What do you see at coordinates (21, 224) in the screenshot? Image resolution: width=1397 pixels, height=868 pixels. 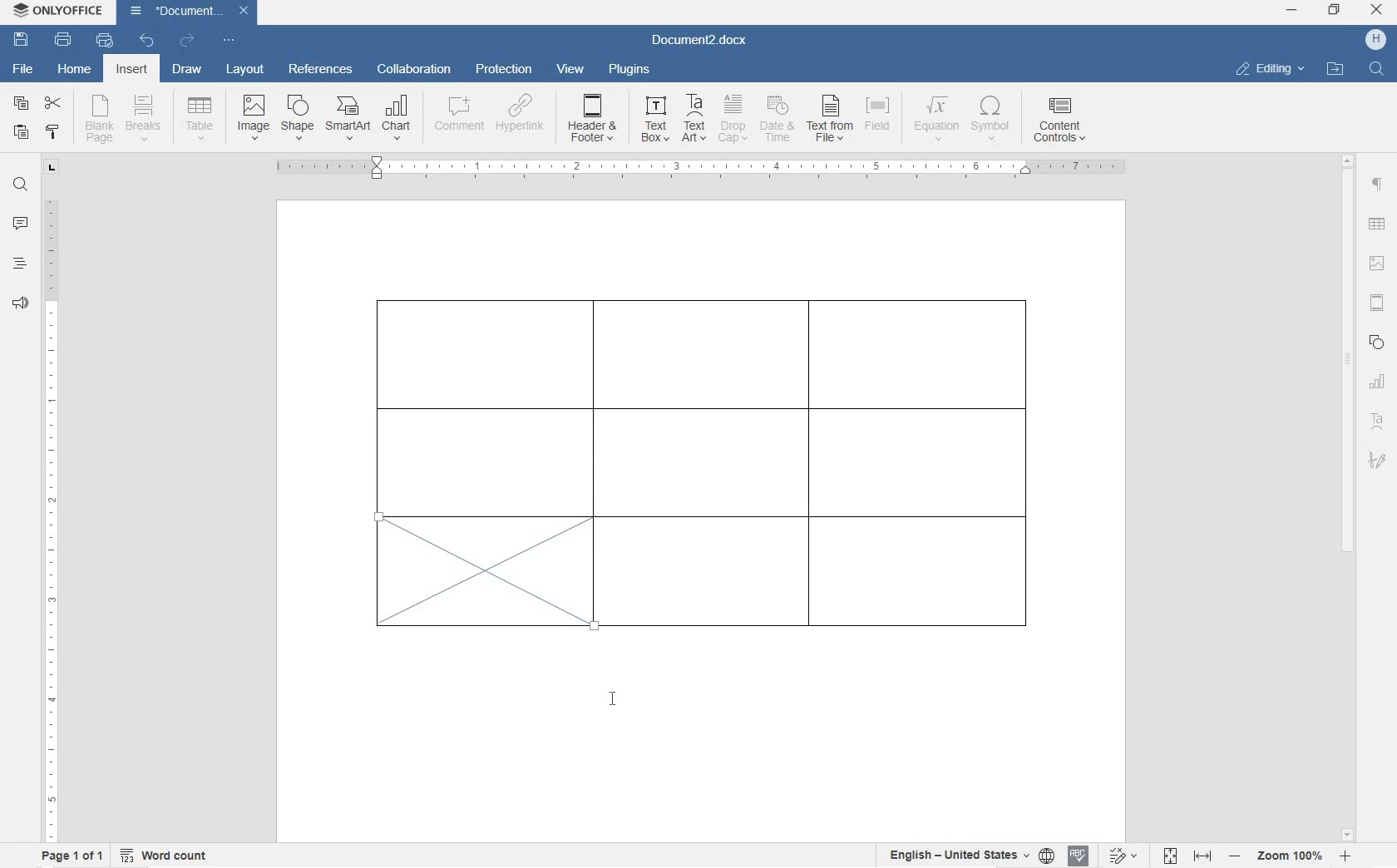 I see `comment` at bounding box center [21, 224].